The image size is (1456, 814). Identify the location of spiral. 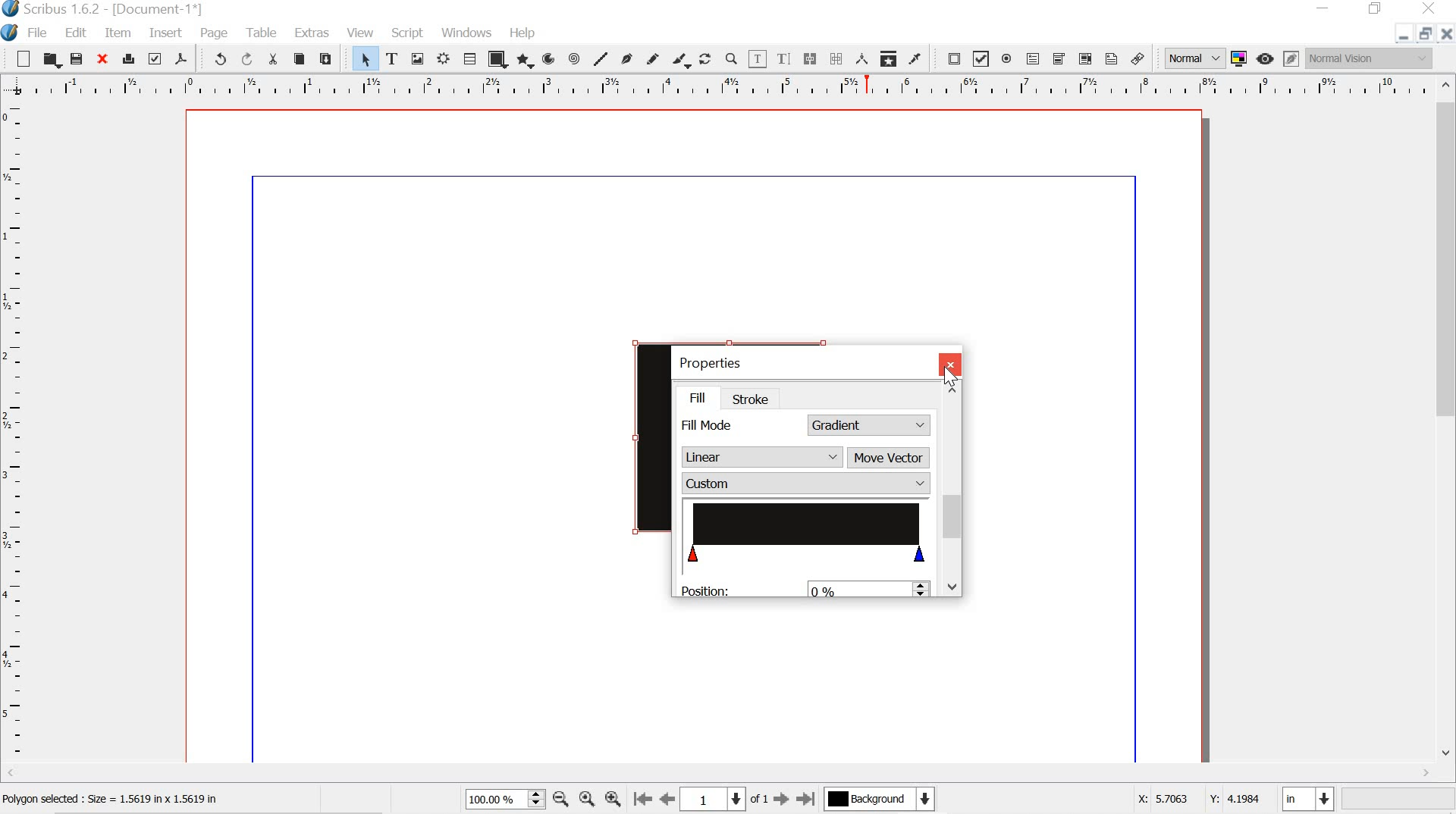
(575, 58).